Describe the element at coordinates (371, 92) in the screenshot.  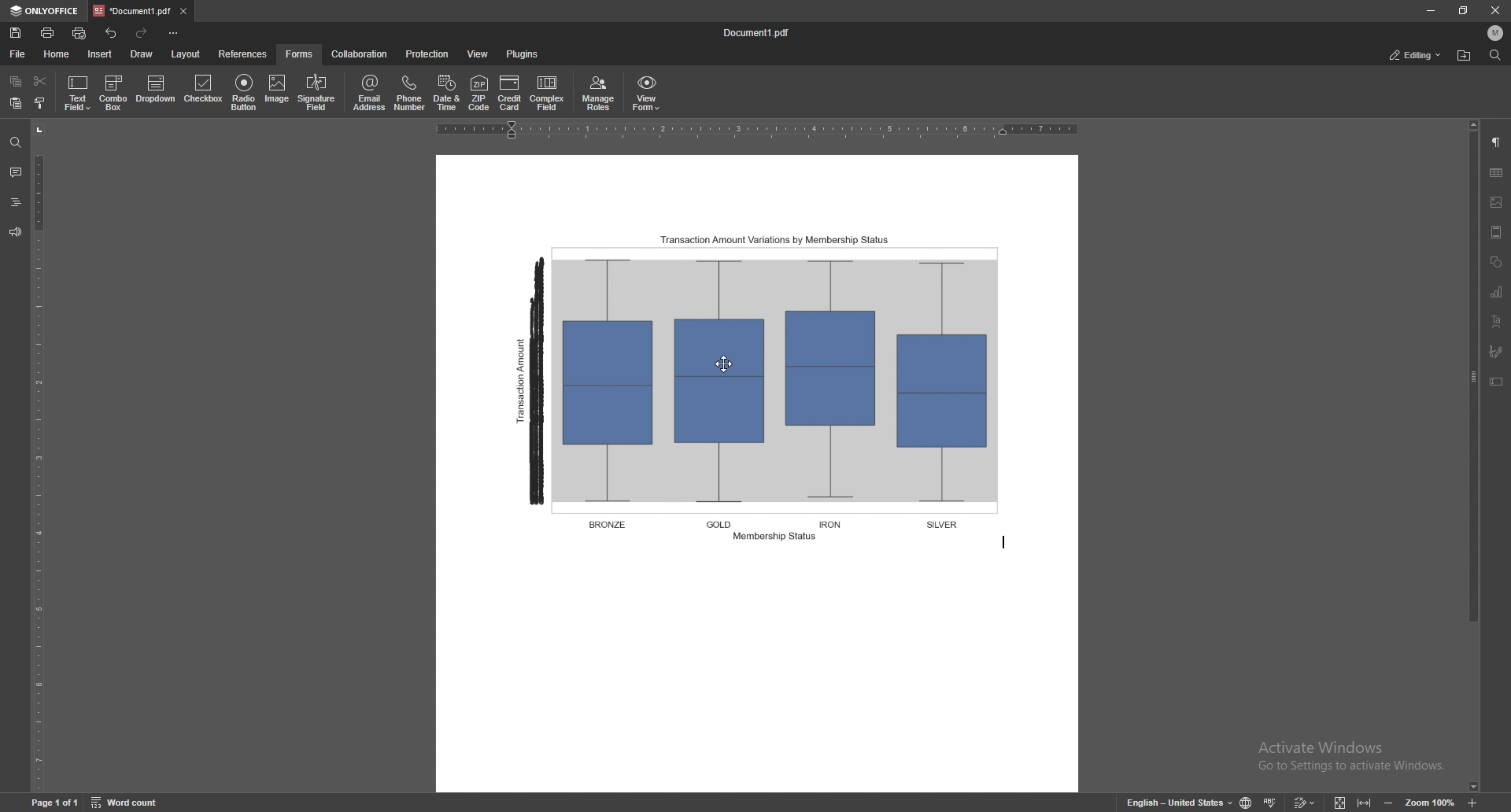
I see `email address` at that location.